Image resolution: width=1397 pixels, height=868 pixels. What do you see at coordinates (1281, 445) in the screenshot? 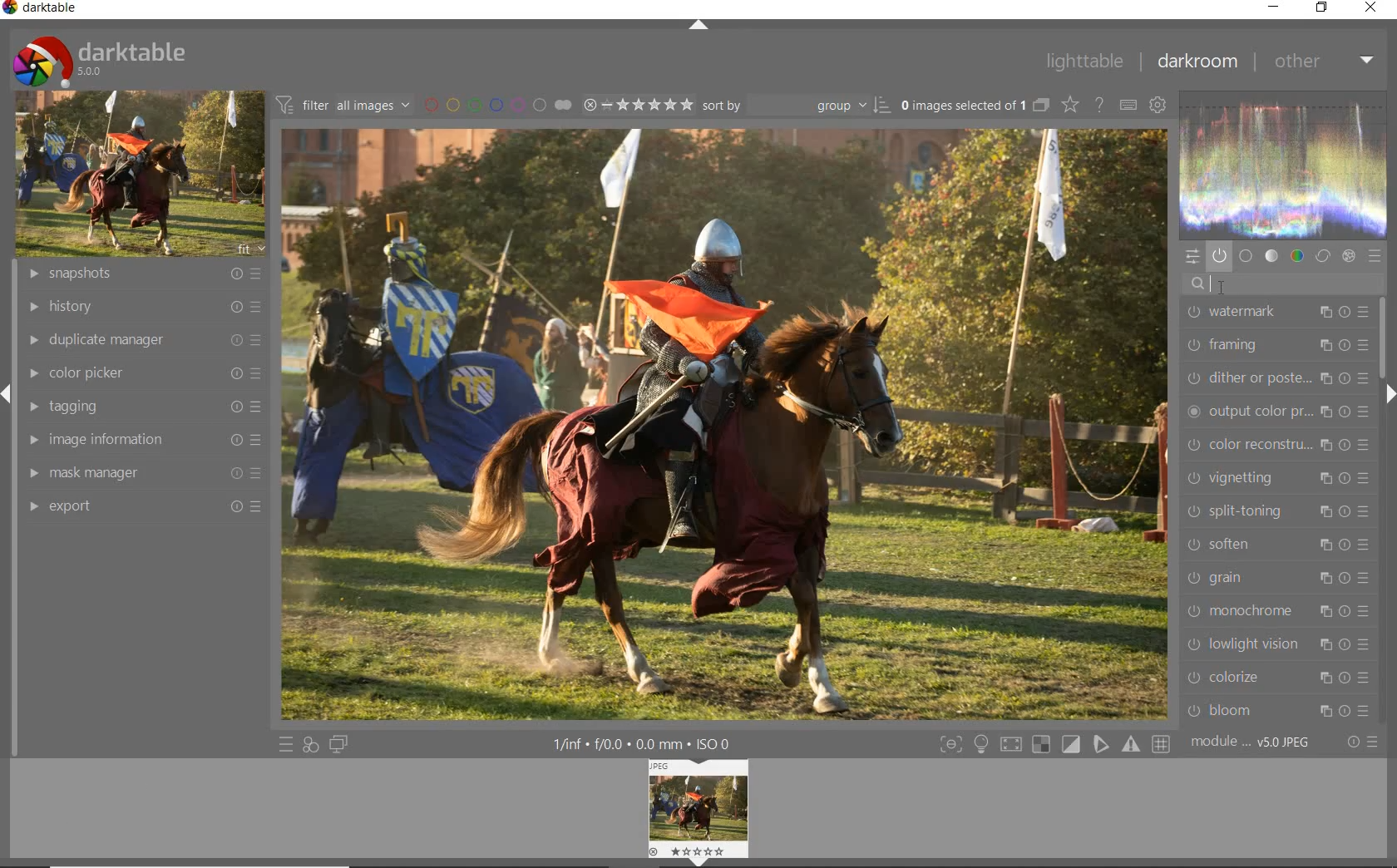
I see `color reconstruction` at bounding box center [1281, 445].